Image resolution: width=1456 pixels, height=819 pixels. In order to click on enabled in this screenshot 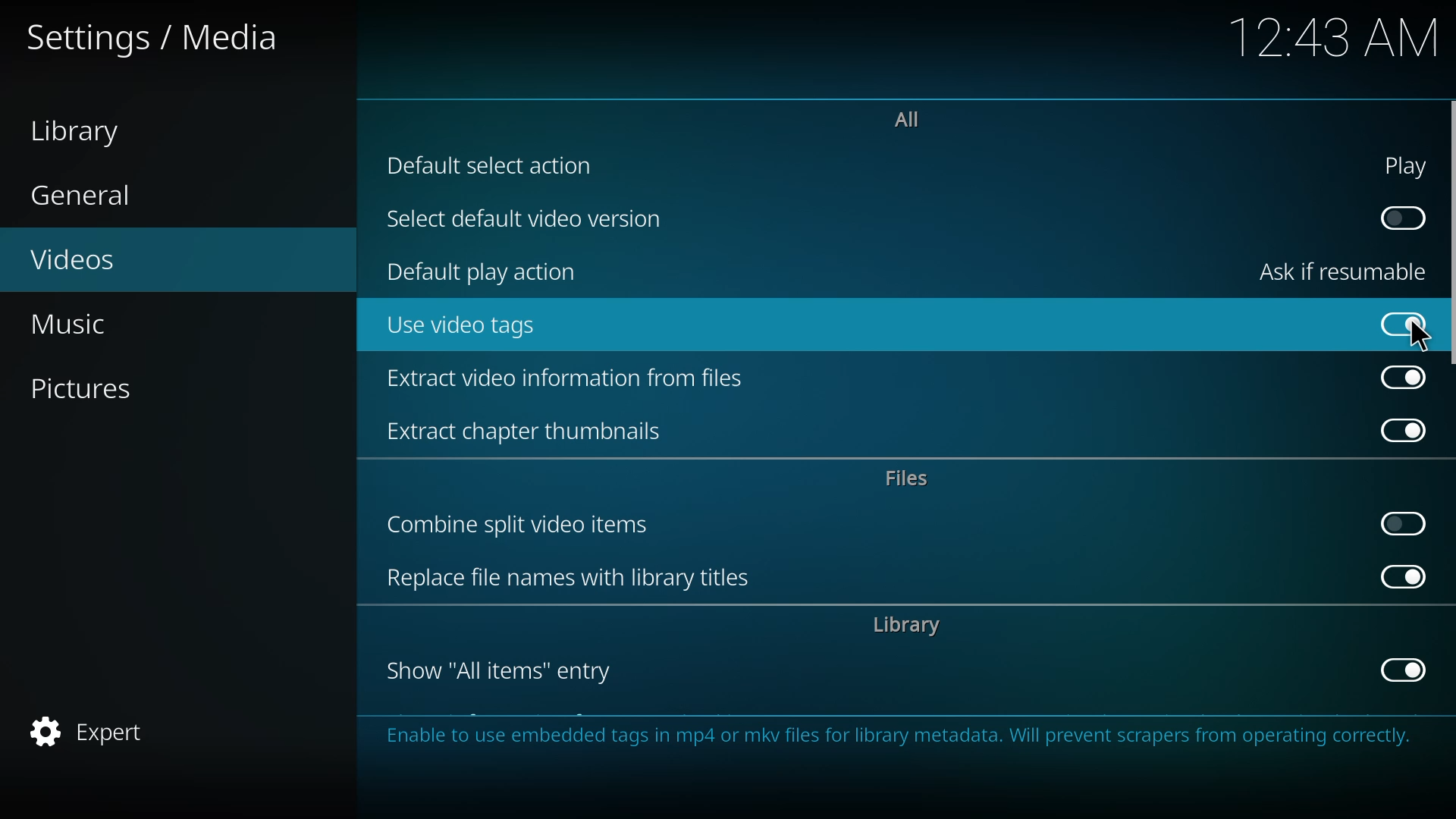, I will do `click(1406, 378)`.